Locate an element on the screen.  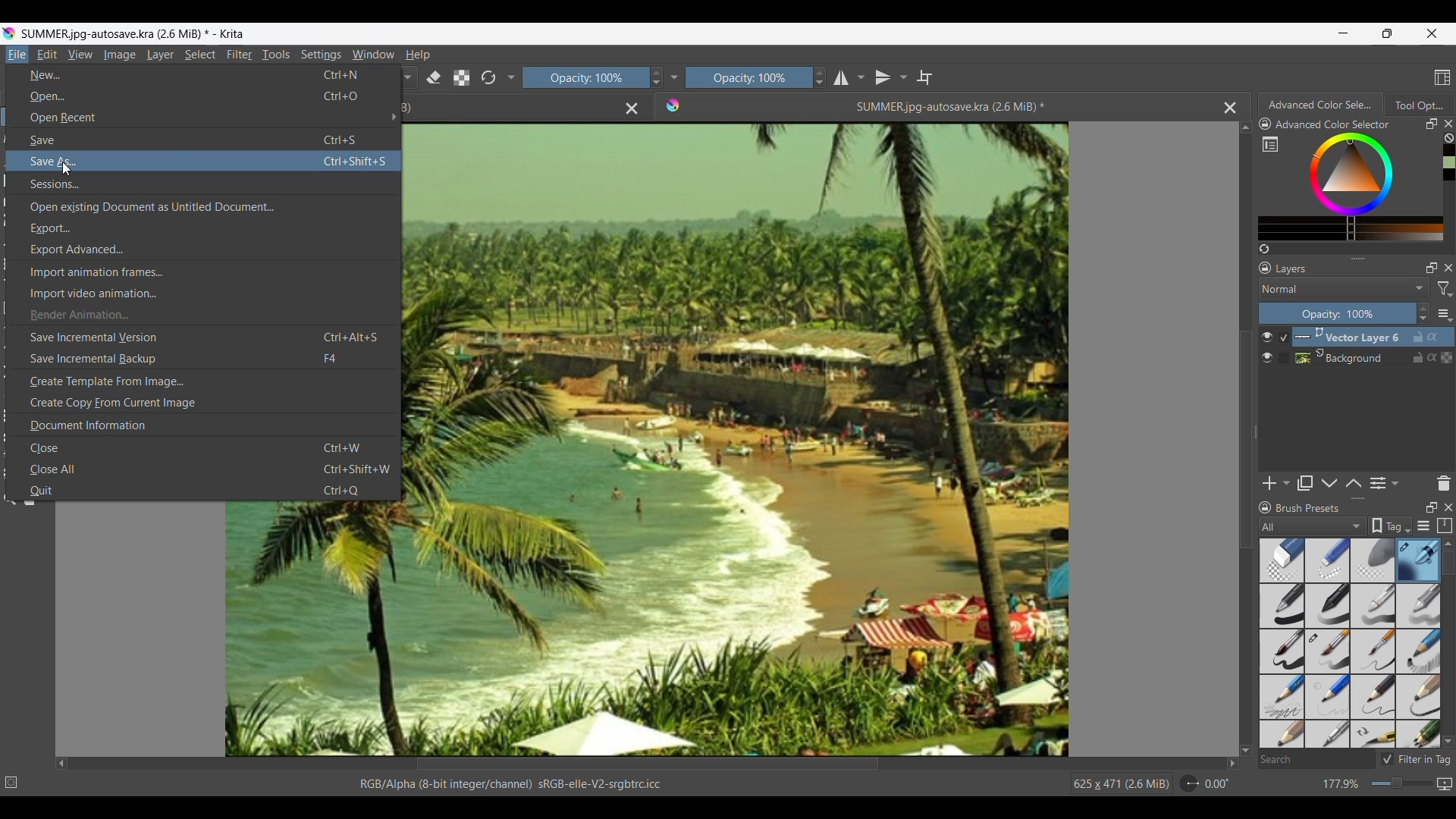
Title of panel is located at coordinates (1308, 508).